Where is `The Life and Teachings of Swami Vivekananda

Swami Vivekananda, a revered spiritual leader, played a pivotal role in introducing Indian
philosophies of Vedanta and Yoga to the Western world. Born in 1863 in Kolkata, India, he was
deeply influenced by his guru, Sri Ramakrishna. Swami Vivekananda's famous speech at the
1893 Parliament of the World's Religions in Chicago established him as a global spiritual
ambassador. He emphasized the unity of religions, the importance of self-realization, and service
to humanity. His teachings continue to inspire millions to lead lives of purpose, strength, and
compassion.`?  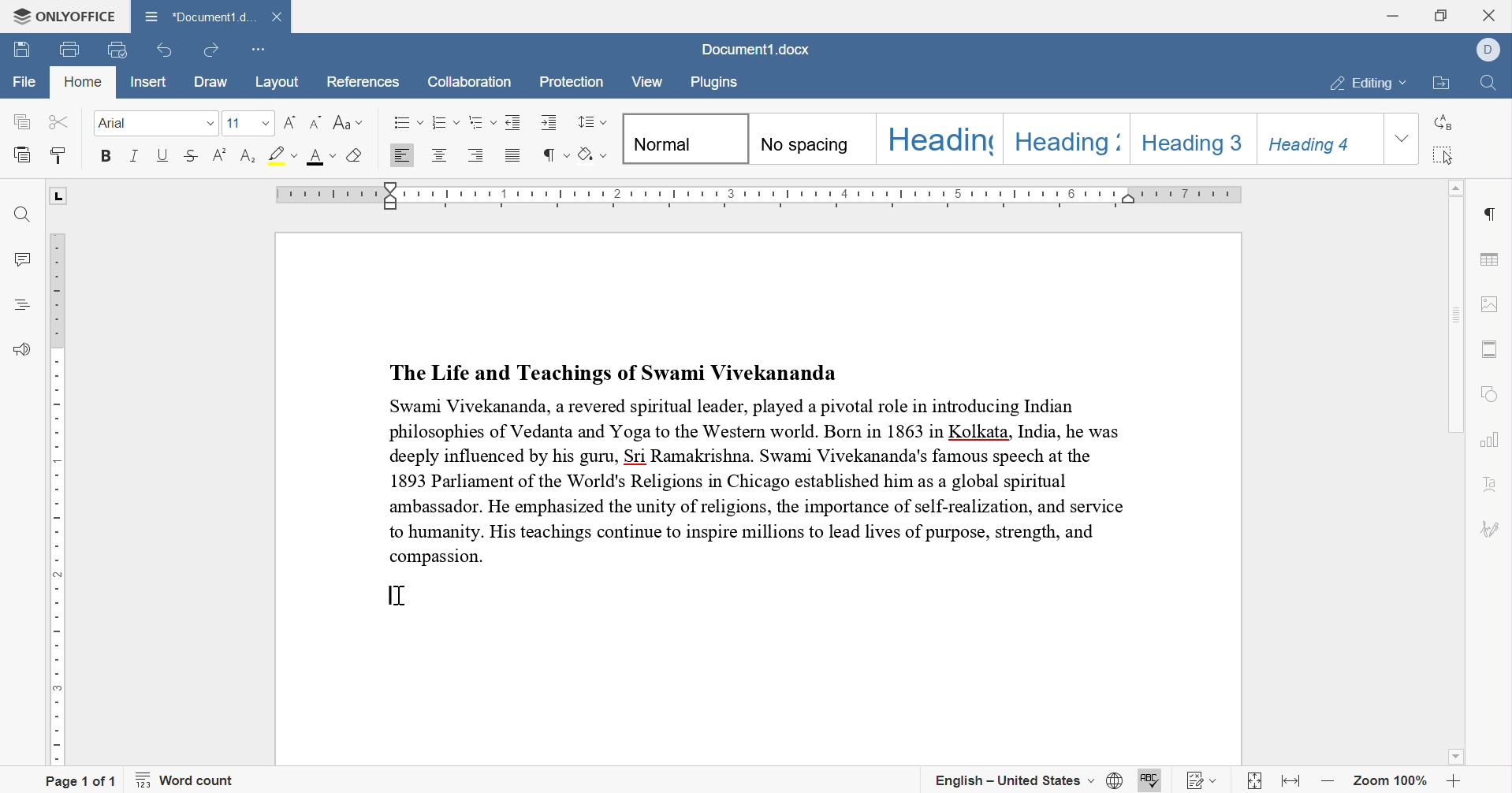
The Life and Teachings of Swami Vivekananda

Swami Vivekananda, a revered spiritual leader, played a pivotal role in introducing Indian
philosophies of Vedanta and Yoga to the Western world. Born in 1863 in Kolkata, India, he was
deeply influenced by his guru, Sri Ramakrishna. Swami Vivekananda's famous speech at the
1893 Parliament of the World's Religions in Chicago established him as a global spiritual
ambassador. He emphasized the unity of religions, the importance of self-realization, and service
to humanity. His teachings continue to inspire millions to lead lives of purpose, strength, and
compassion. is located at coordinates (760, 461).